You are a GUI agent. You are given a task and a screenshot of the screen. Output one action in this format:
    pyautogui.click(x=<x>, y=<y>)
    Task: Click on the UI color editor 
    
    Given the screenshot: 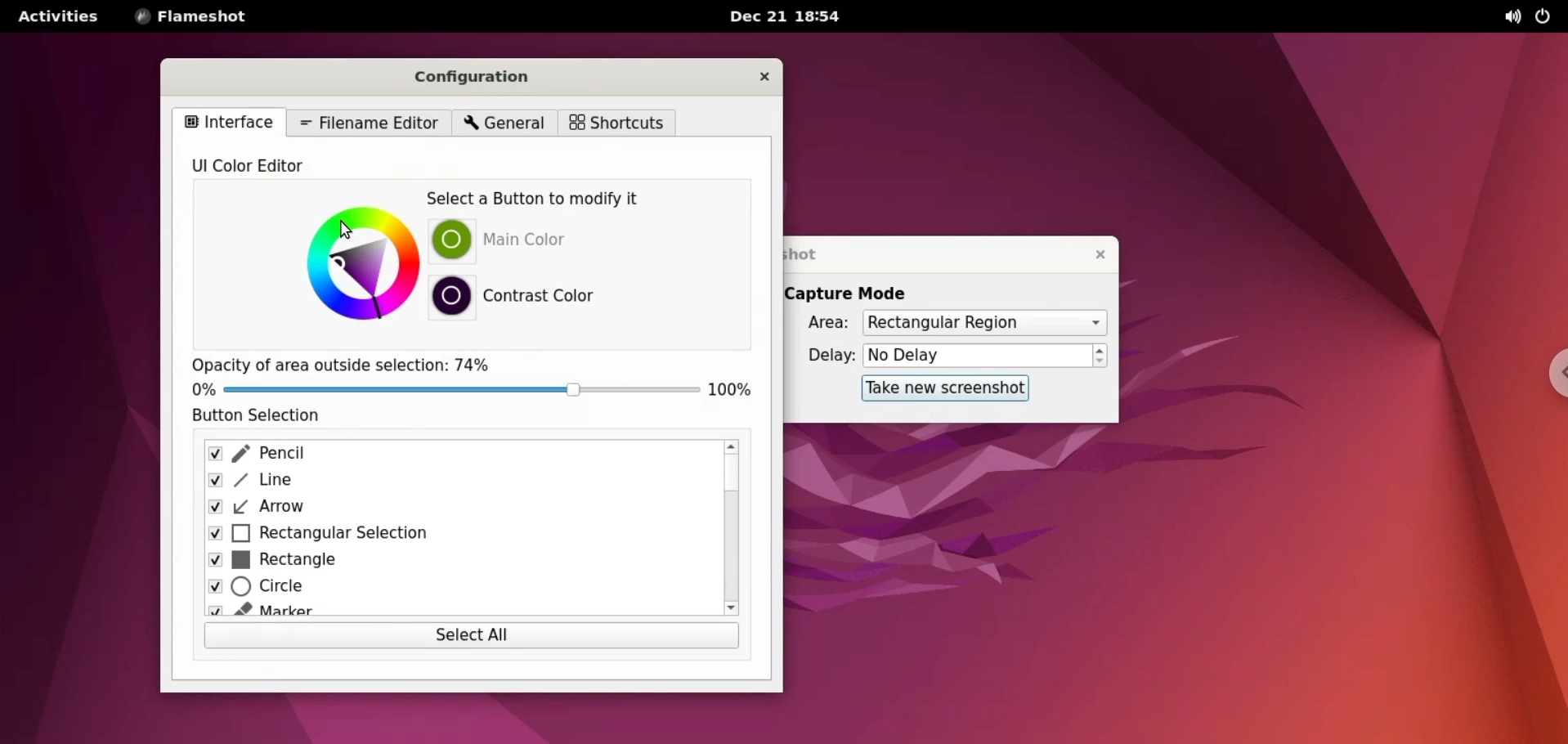 What is the action you would take?
    pyautogui.click(x=257, y=166)
    